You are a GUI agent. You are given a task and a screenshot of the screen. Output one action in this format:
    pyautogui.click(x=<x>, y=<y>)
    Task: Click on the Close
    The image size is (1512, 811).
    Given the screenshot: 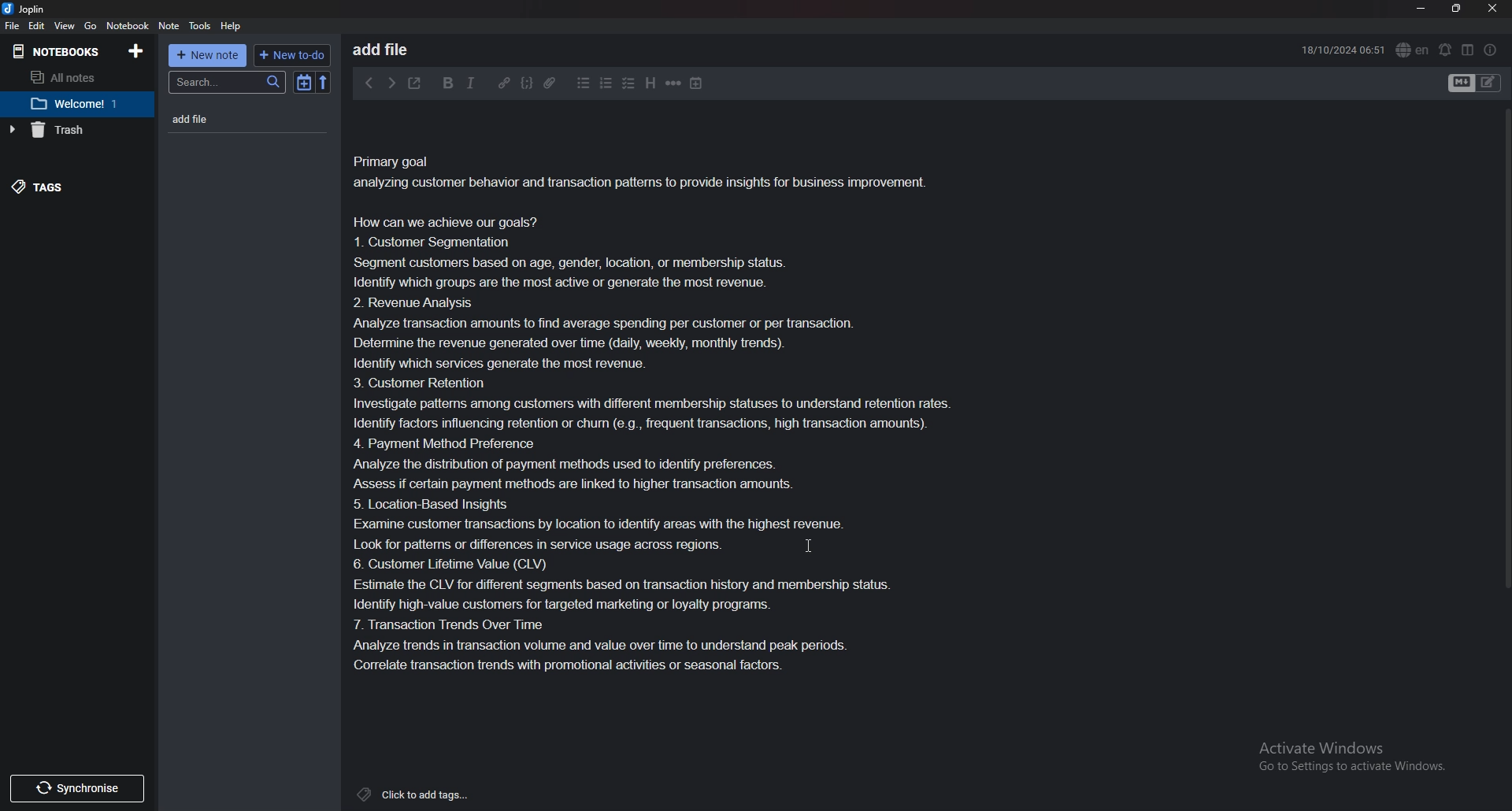 What is the action you would take?
    pyautogui.click(x=1492, y=9)
    